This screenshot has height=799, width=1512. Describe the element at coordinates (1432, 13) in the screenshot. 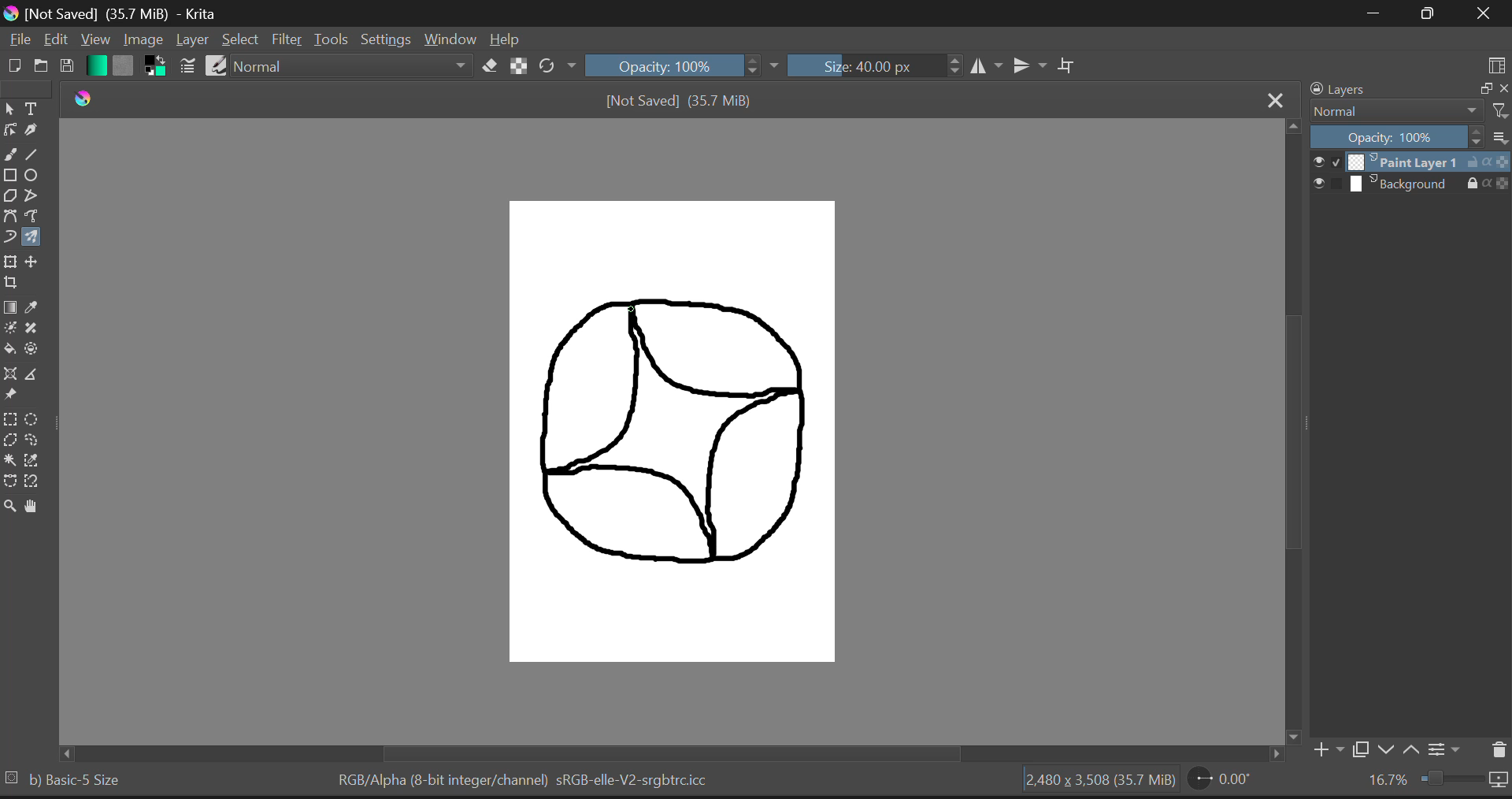

I see `Minimize` at that location.